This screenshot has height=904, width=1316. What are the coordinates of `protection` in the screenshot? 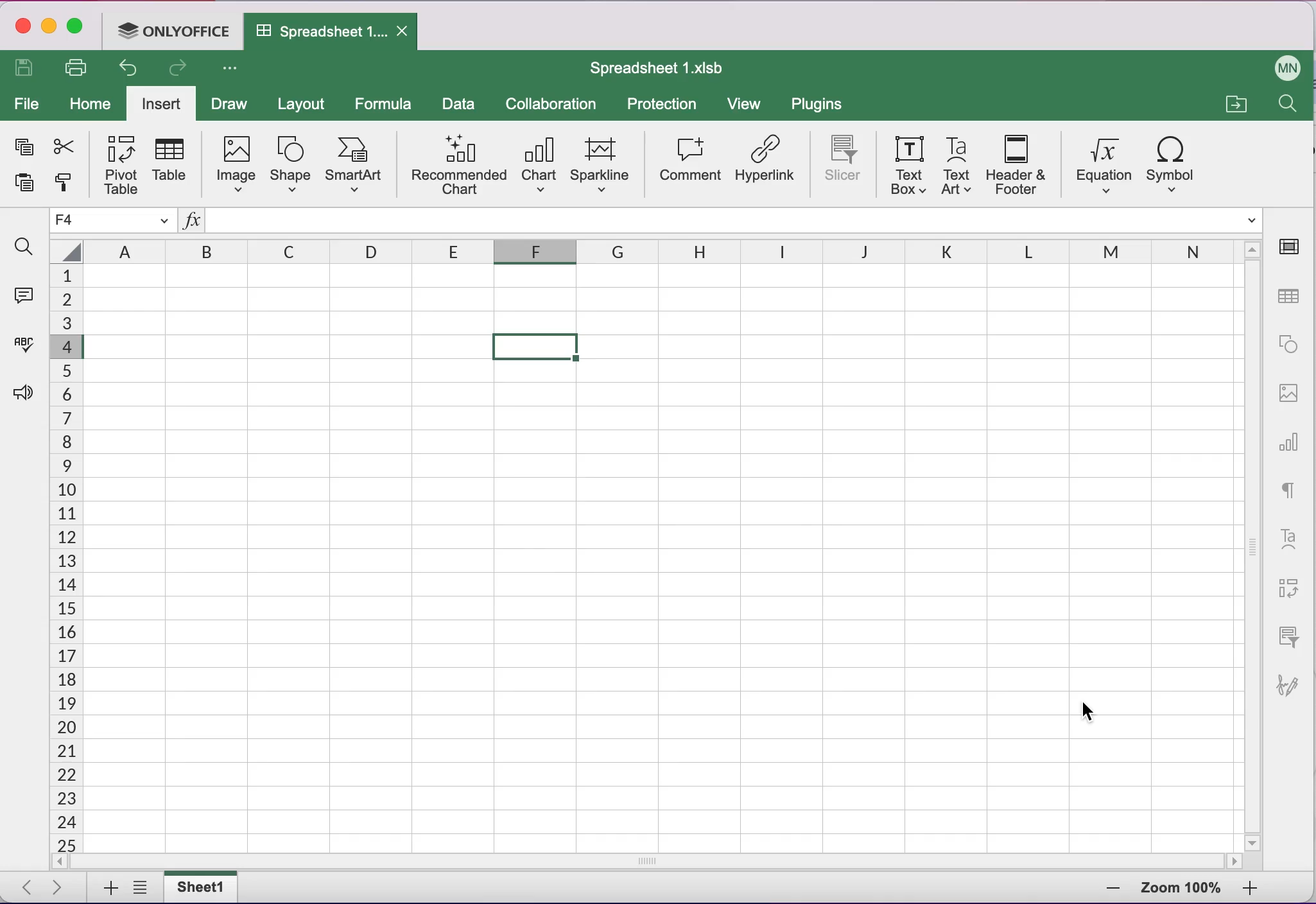 It's located at (666, 105).